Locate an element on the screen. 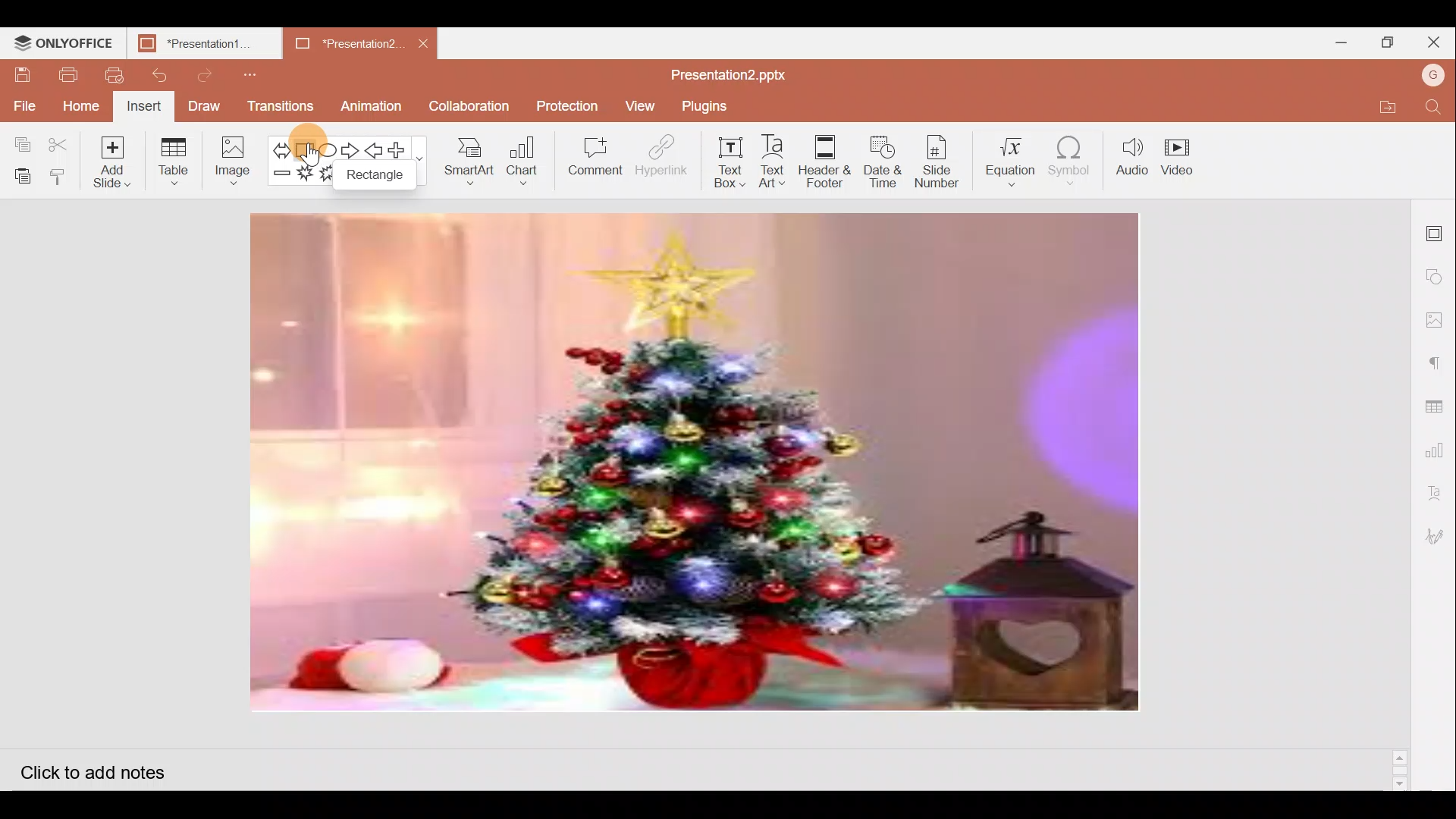 The image size is (1456, 819). Image settings is located at coordinates (1439, 320).